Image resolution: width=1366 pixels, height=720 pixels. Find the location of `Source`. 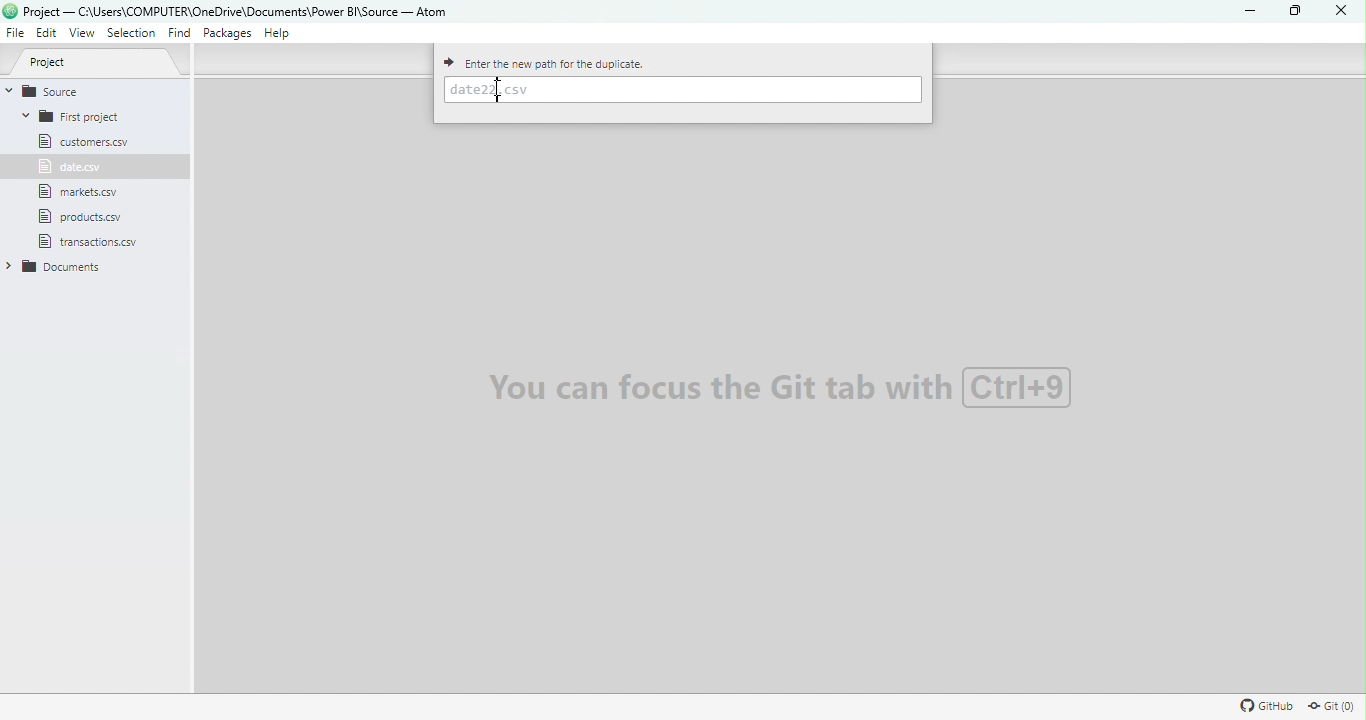

Source is located at coordinates (77, 90).